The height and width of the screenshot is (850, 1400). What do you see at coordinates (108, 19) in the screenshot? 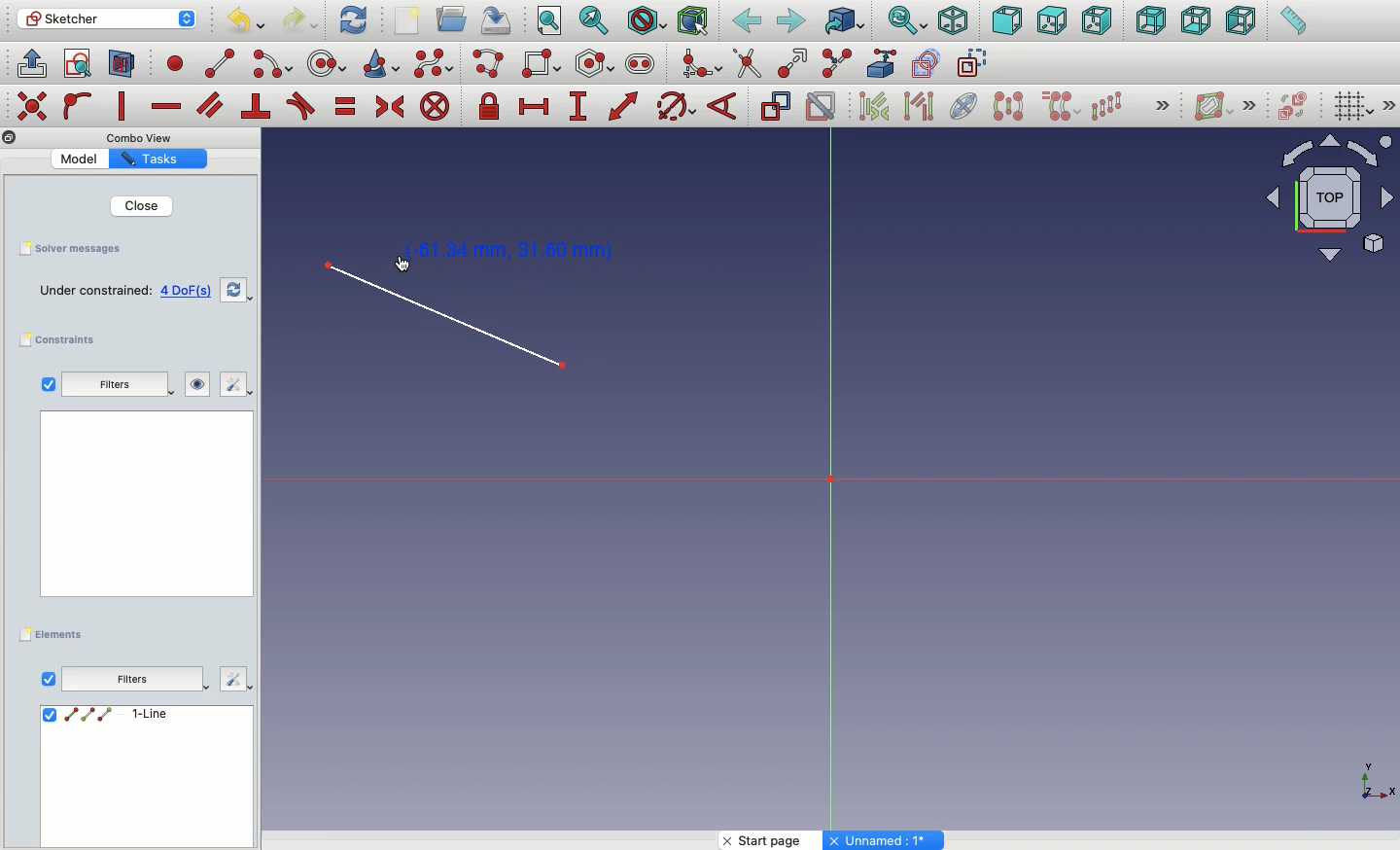
I see `Sketcher` at bounding box center [108, 19].